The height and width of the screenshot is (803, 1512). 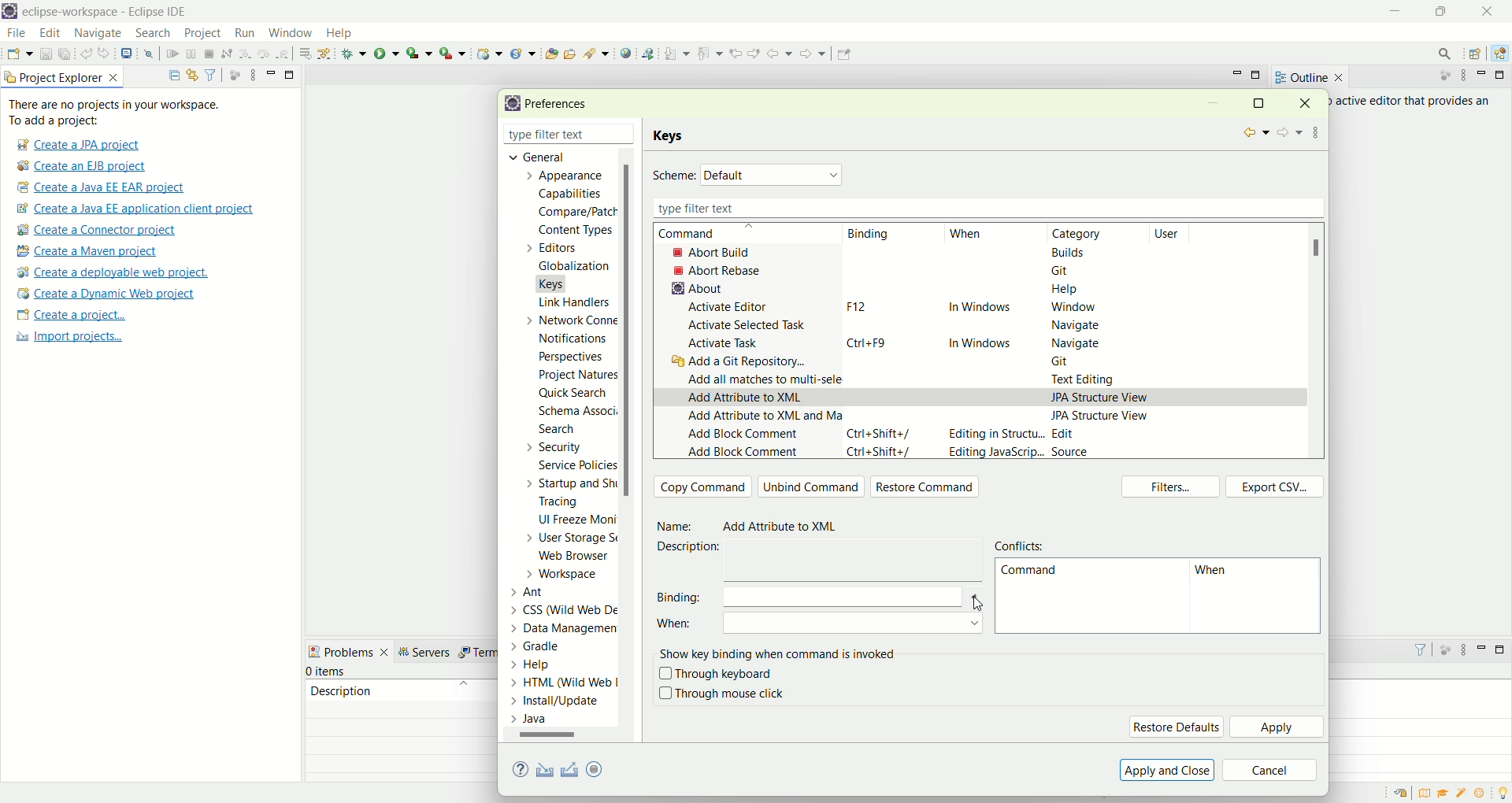 What do you see at coordinates (202, 33) in the screenshot?
I see `project` at bounding box center [202, 33].